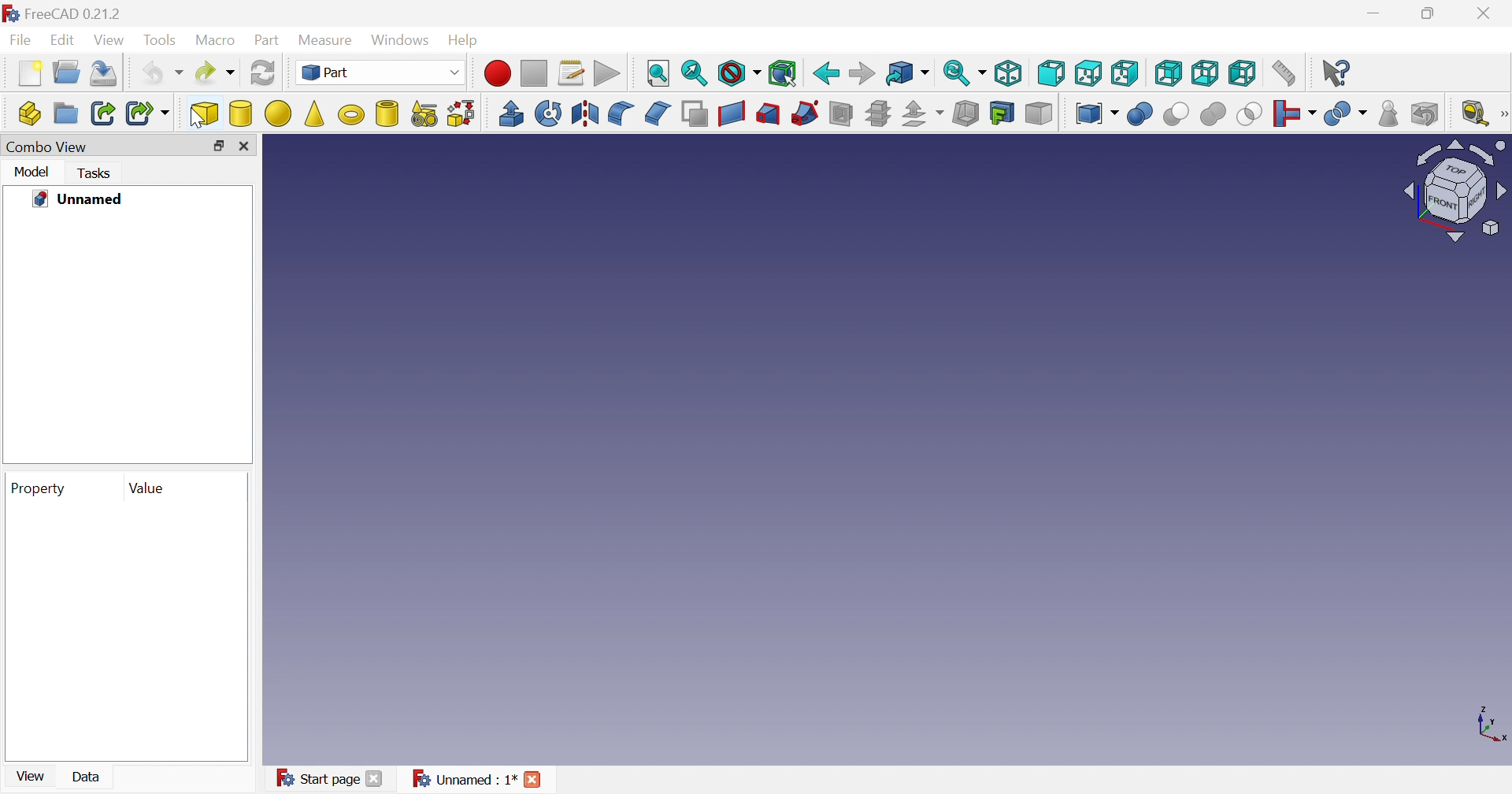 This screenshot has width=1512, height=794. What do you see at coordinates (607, 74) in the screenshot?
I see `Execute macros` at bounding box center [607, 74].